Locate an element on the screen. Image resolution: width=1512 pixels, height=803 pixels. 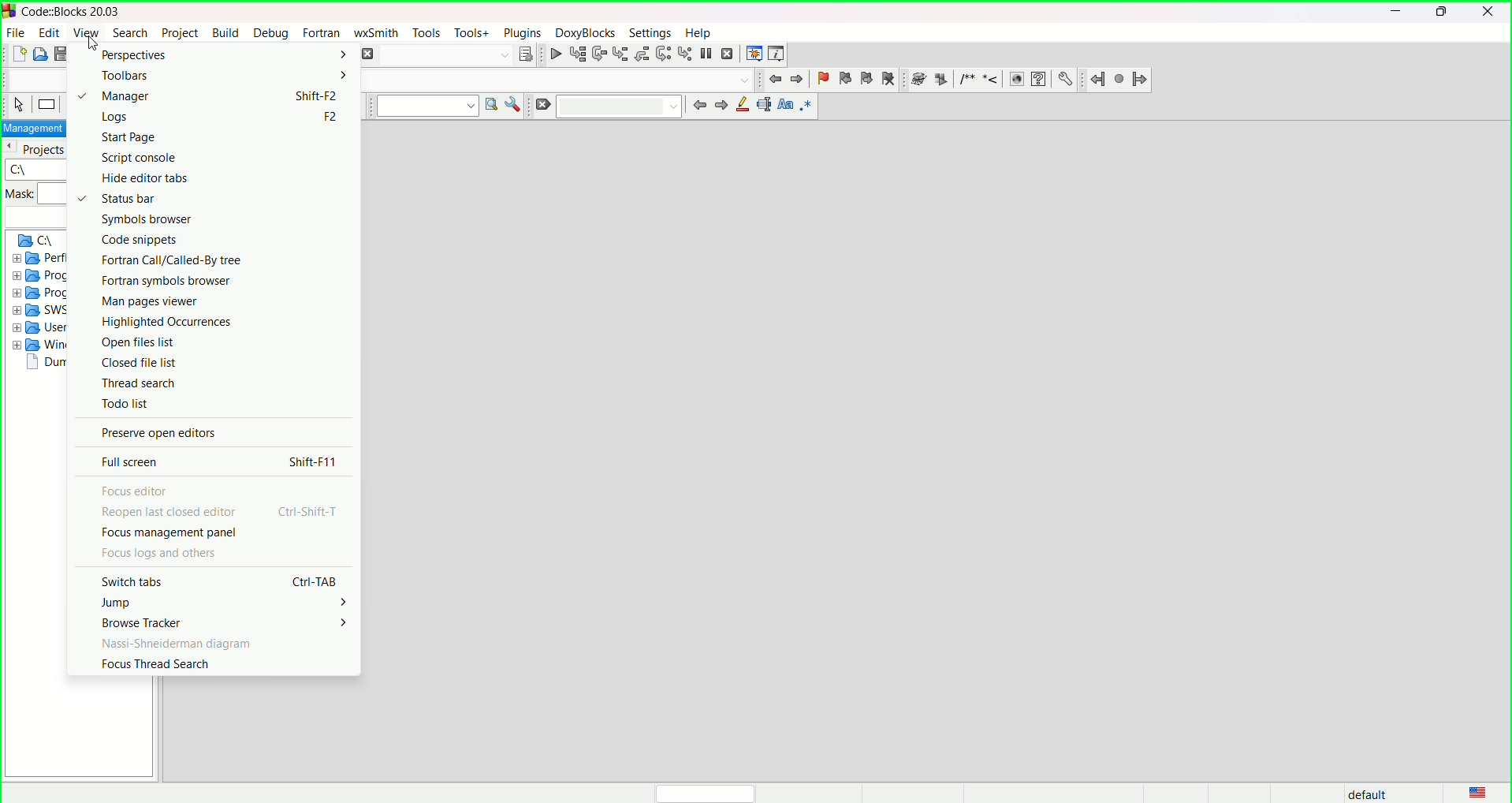
toggle bookmark is located at coordinates (821, 77).